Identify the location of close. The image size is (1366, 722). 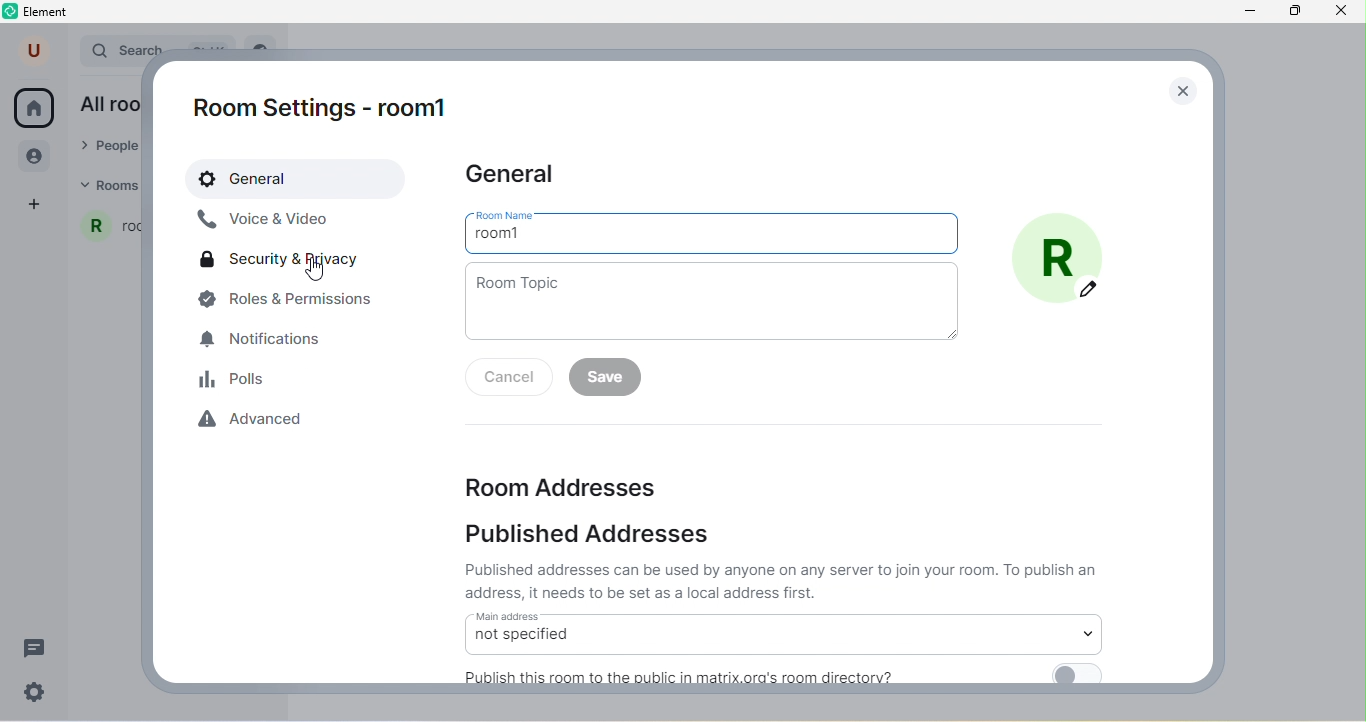
(1182, 90).